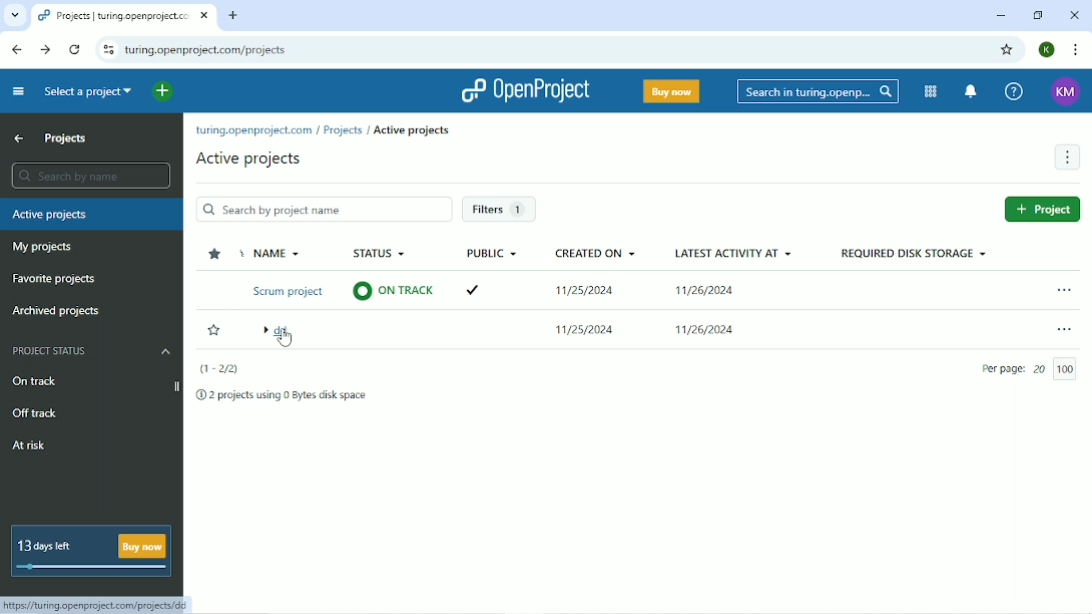  Describe the element at coordinates (94, 351) in the screenshot. I see `Project status ` at that location.